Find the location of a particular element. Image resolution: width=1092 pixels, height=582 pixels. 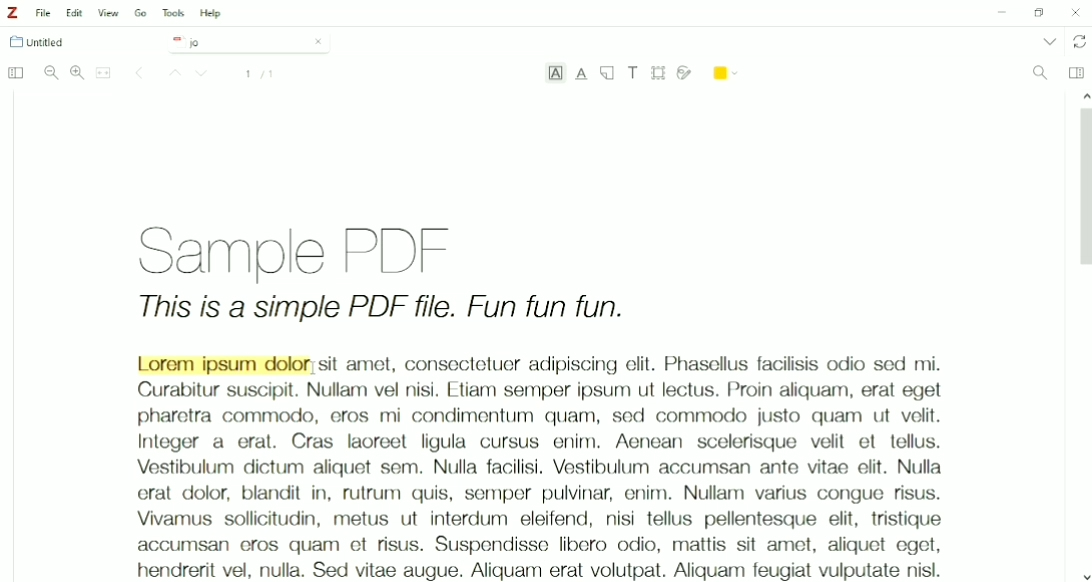

Add Text is located at coordinates (634, 72).